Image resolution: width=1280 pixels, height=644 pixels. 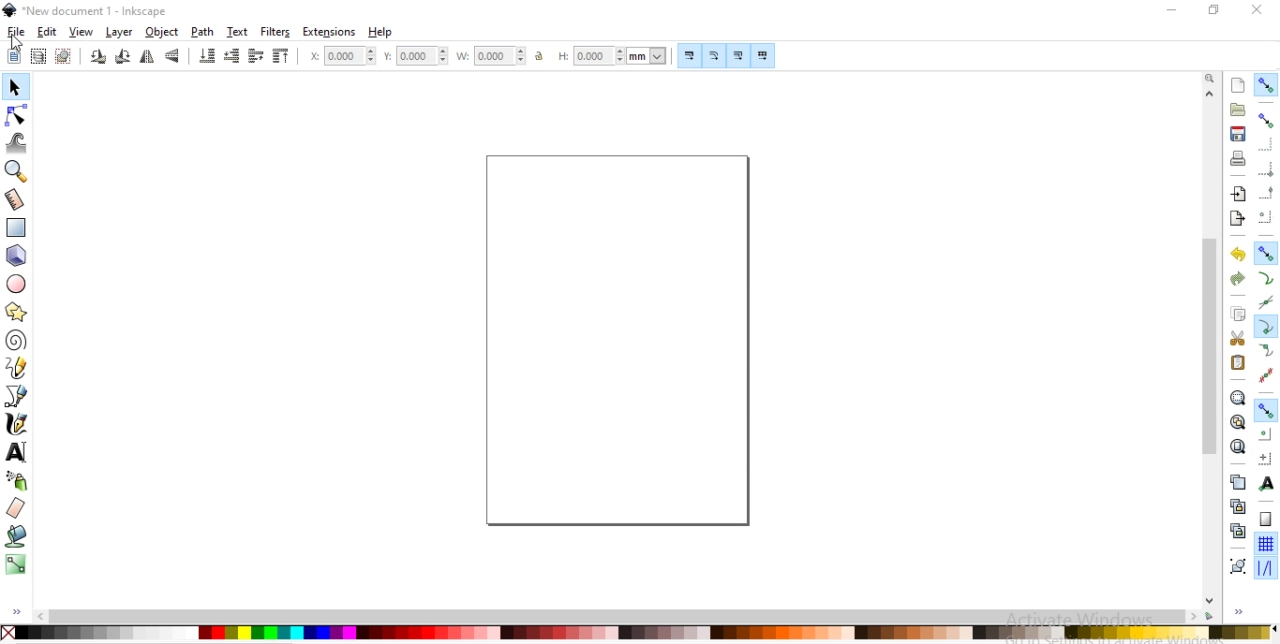 I want to click on snap smooth nodes, so click(x=1264, y=351).